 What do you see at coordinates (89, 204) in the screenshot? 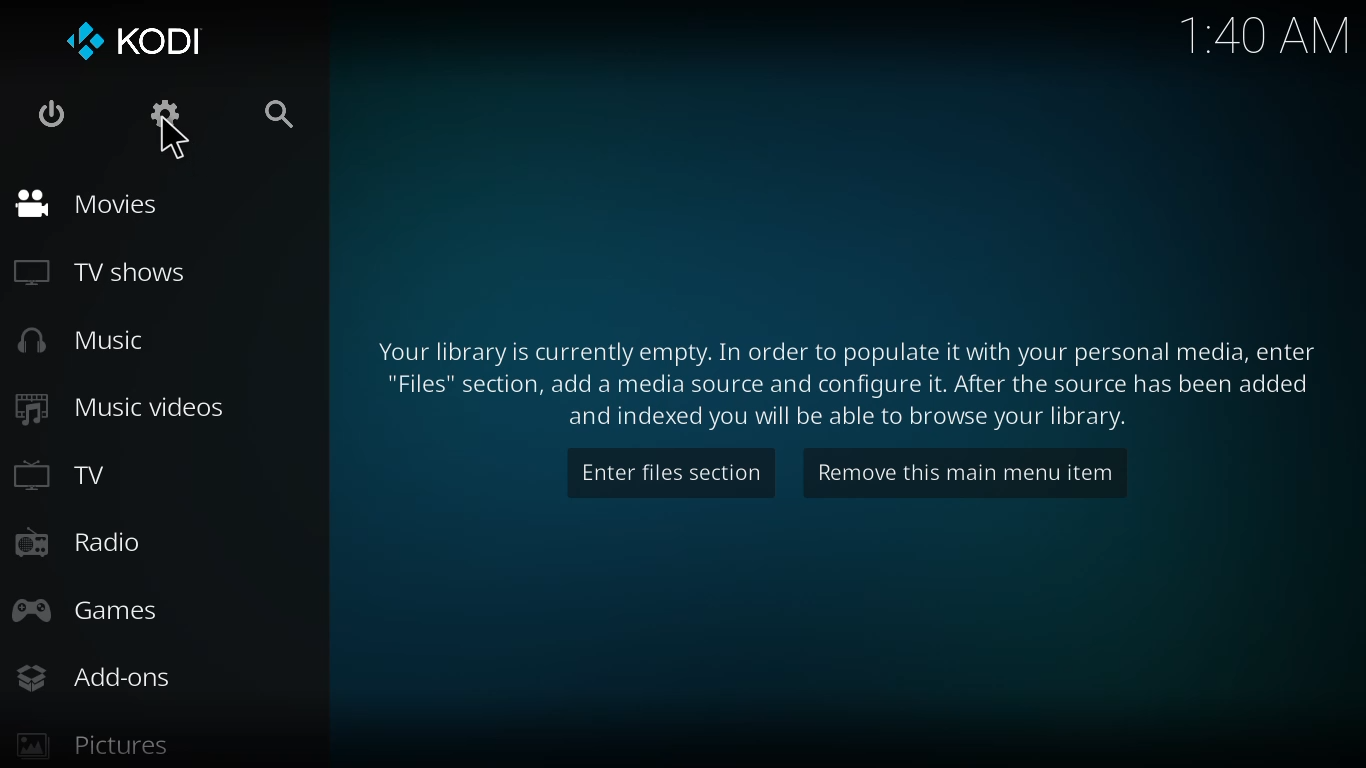
I see `movies` at bounding box center [89, 204].